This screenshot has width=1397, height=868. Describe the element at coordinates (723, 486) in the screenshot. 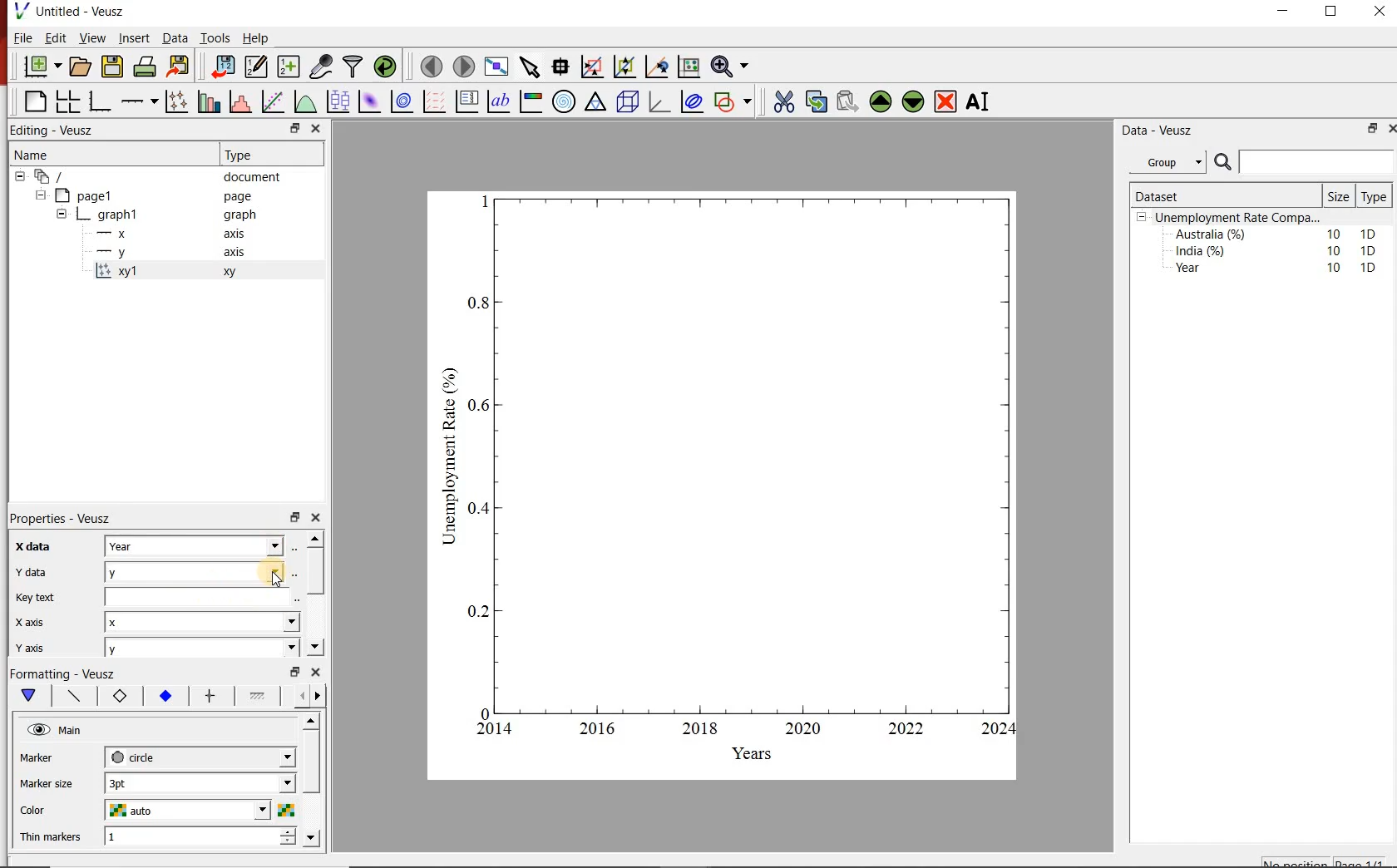

I see `graph chart` at that location.